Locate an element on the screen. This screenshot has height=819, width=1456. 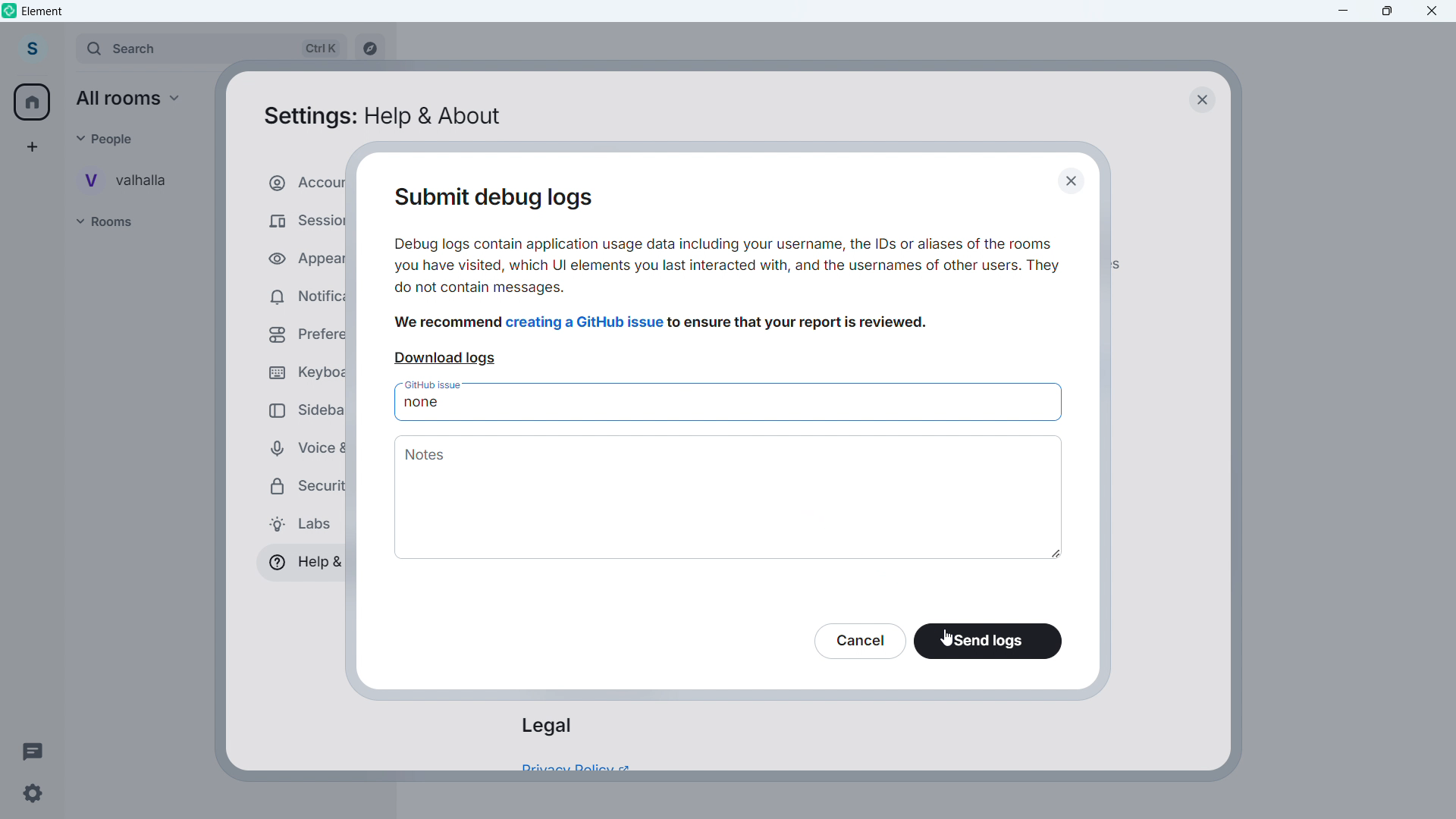
none is located at coordinates (422, 403).